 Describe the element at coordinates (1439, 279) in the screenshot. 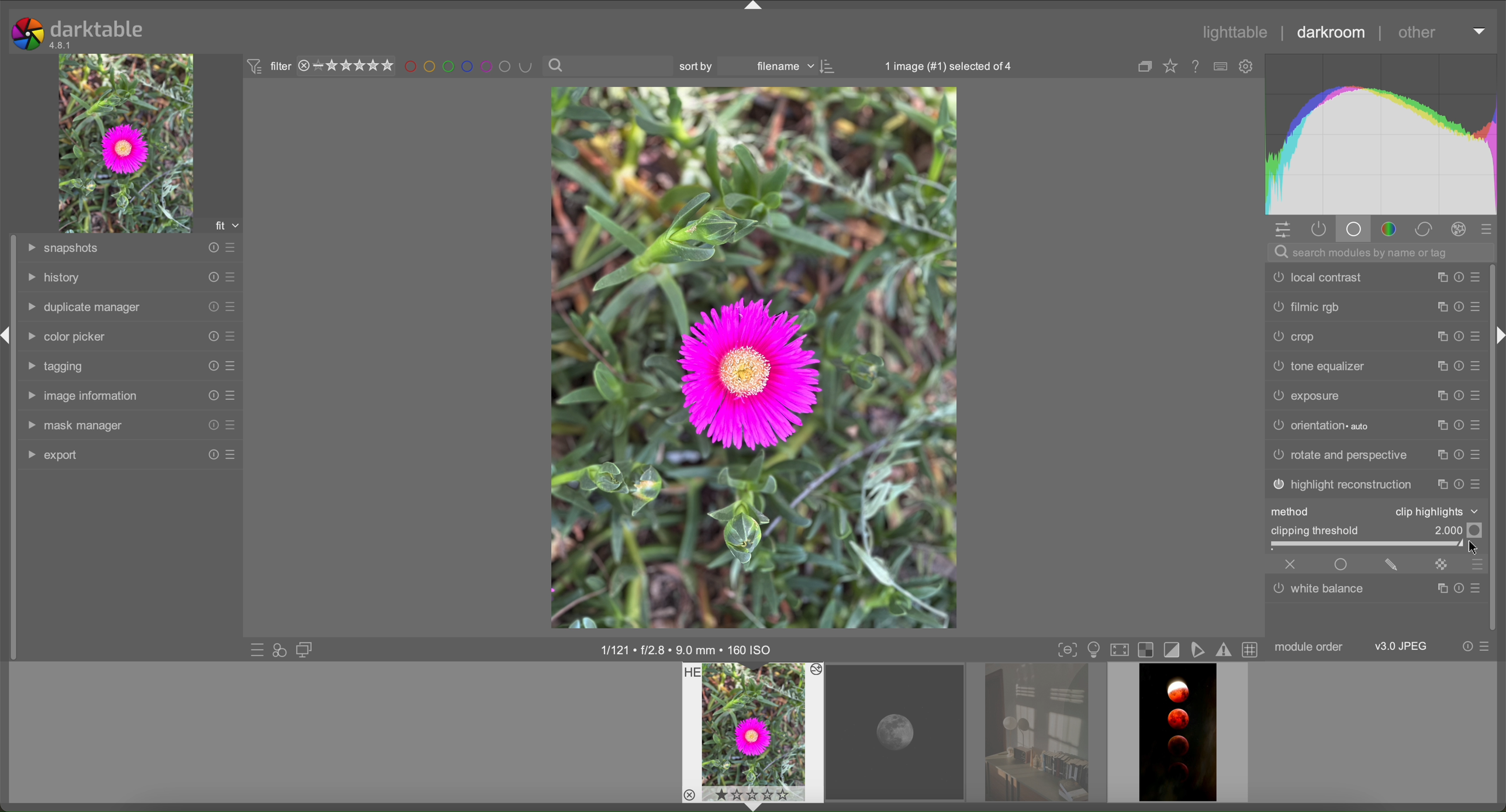

I see `copy` at that location.